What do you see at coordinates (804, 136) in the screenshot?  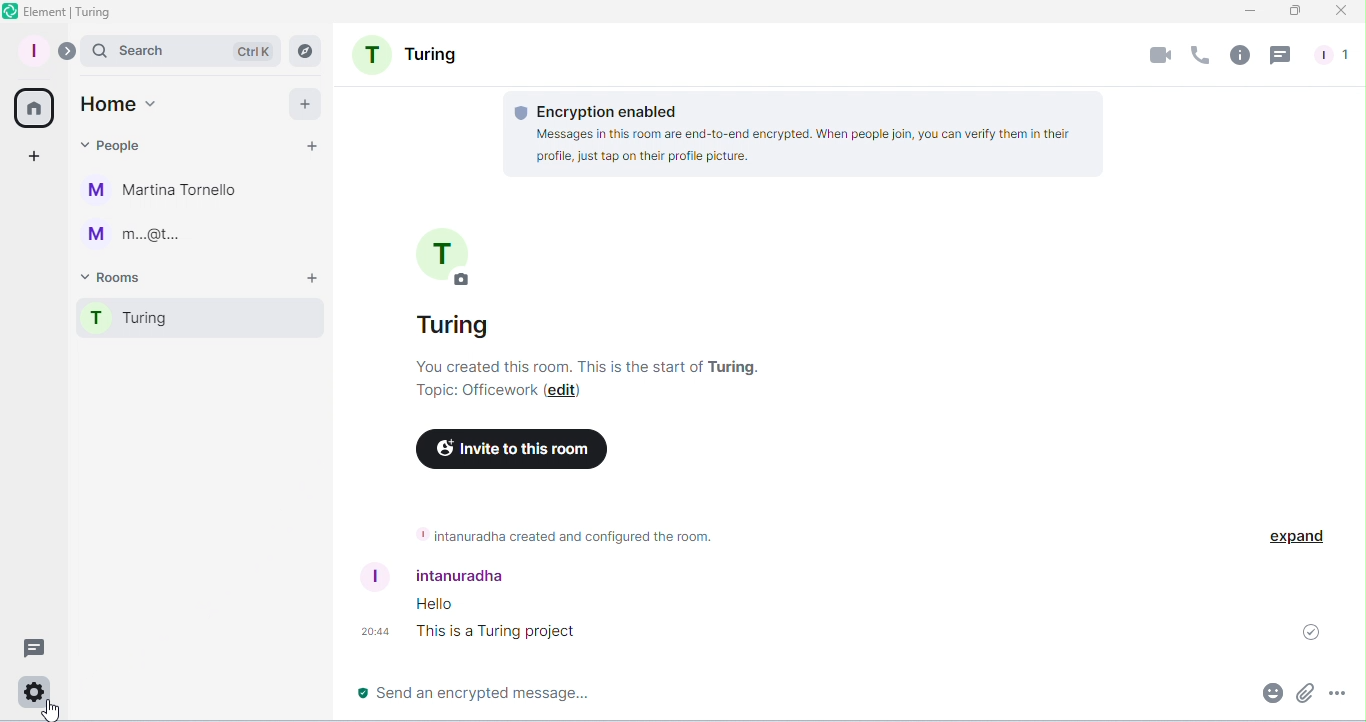 I see `Encryption notification` at bounding box center [804, 136].